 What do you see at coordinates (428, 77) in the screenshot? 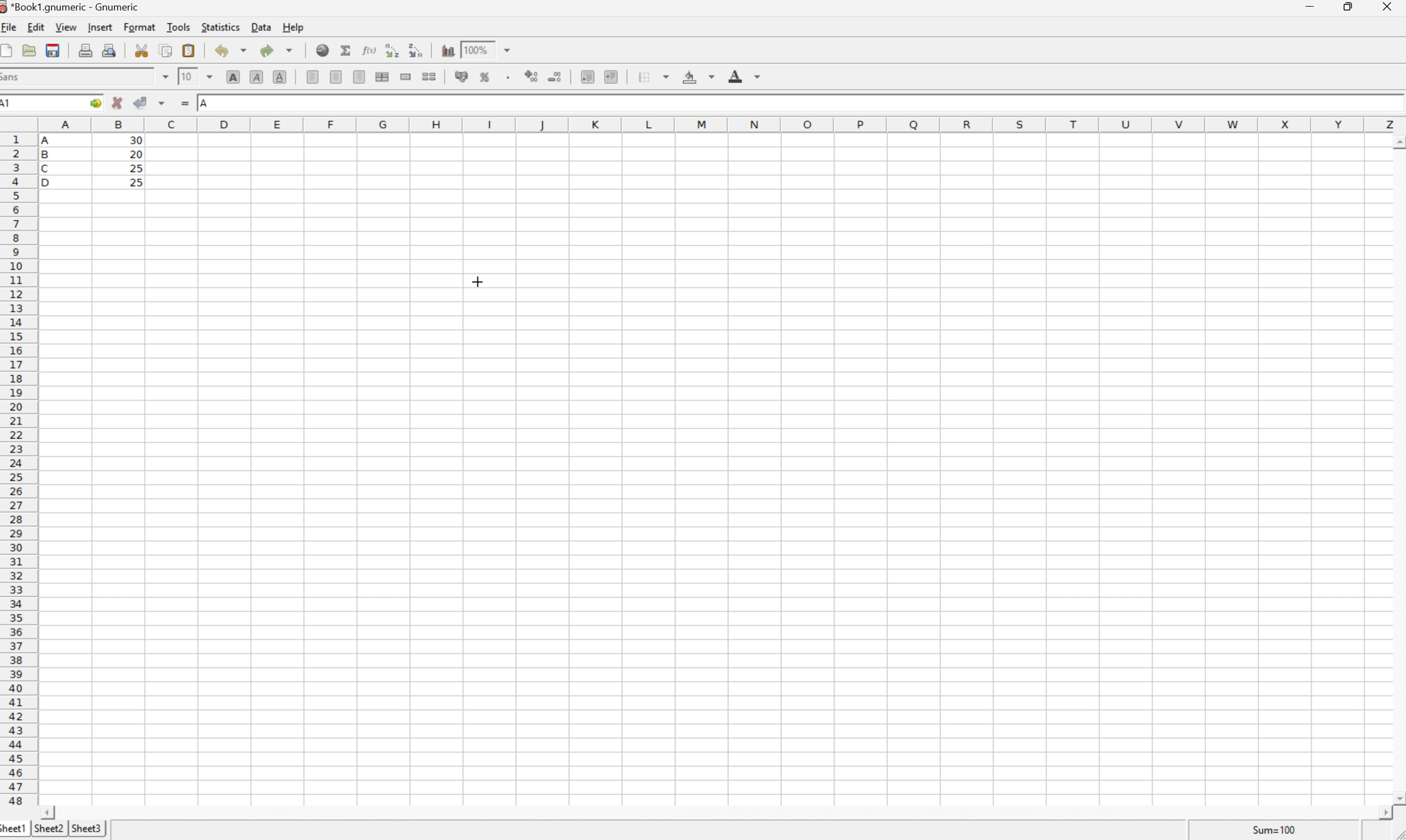
I see `Split merged ranges of cells` at bounding box center [428, 77].